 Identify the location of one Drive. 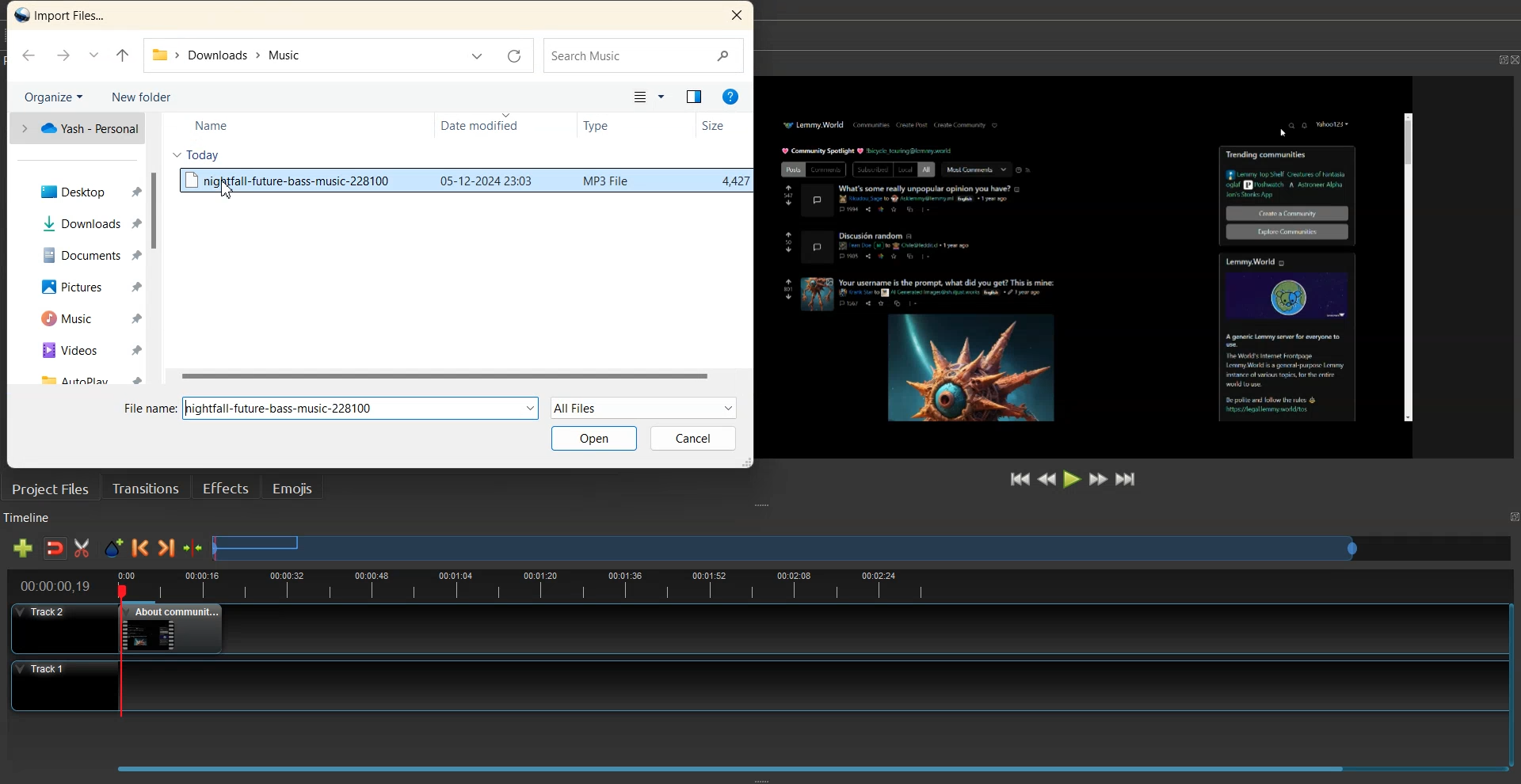
(76, 128).